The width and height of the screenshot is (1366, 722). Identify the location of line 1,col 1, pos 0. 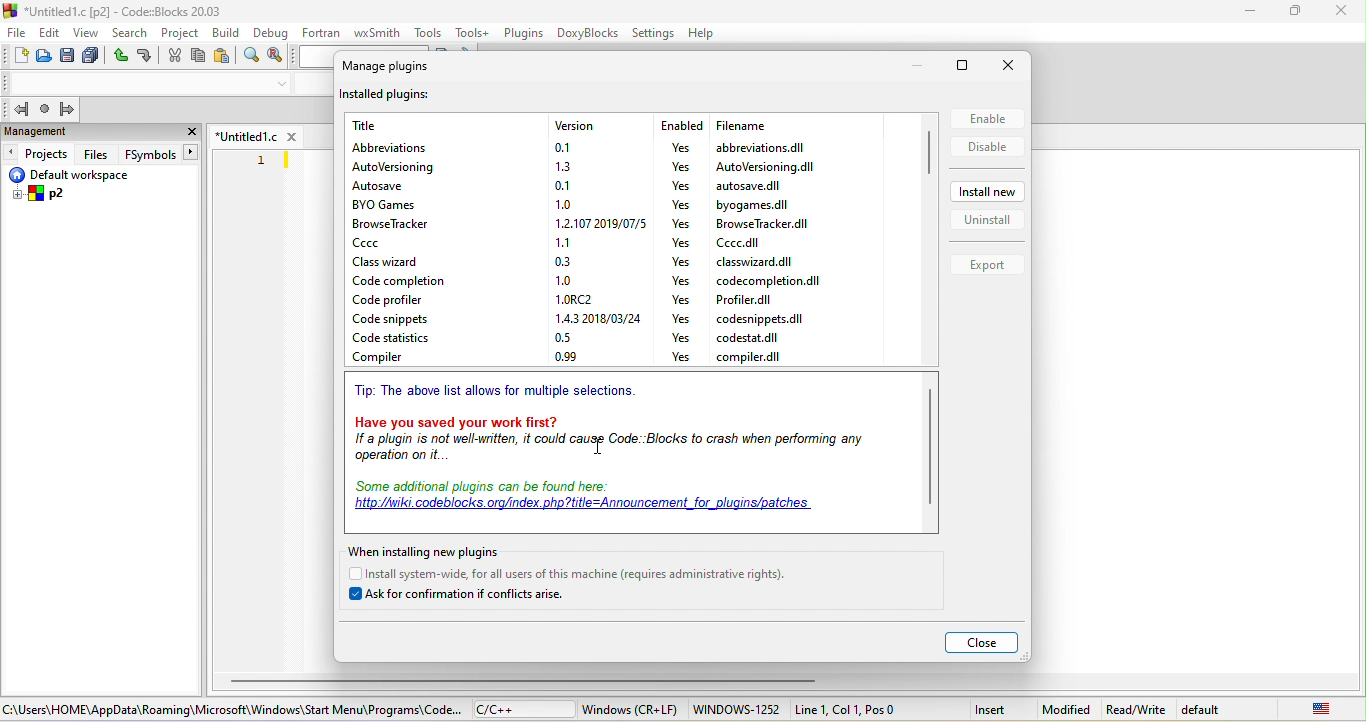
(846, 711).